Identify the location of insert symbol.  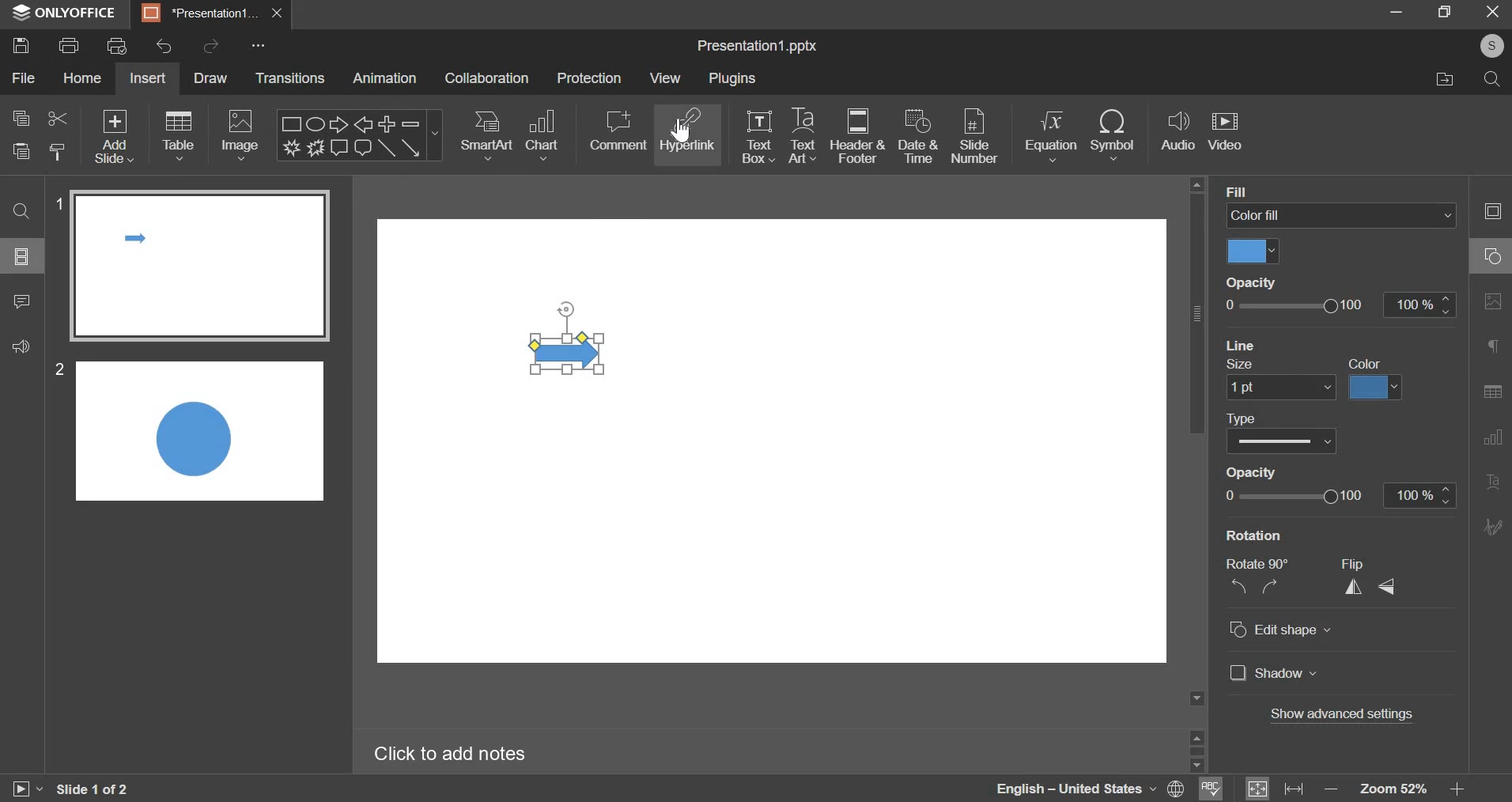
(1113, 138).